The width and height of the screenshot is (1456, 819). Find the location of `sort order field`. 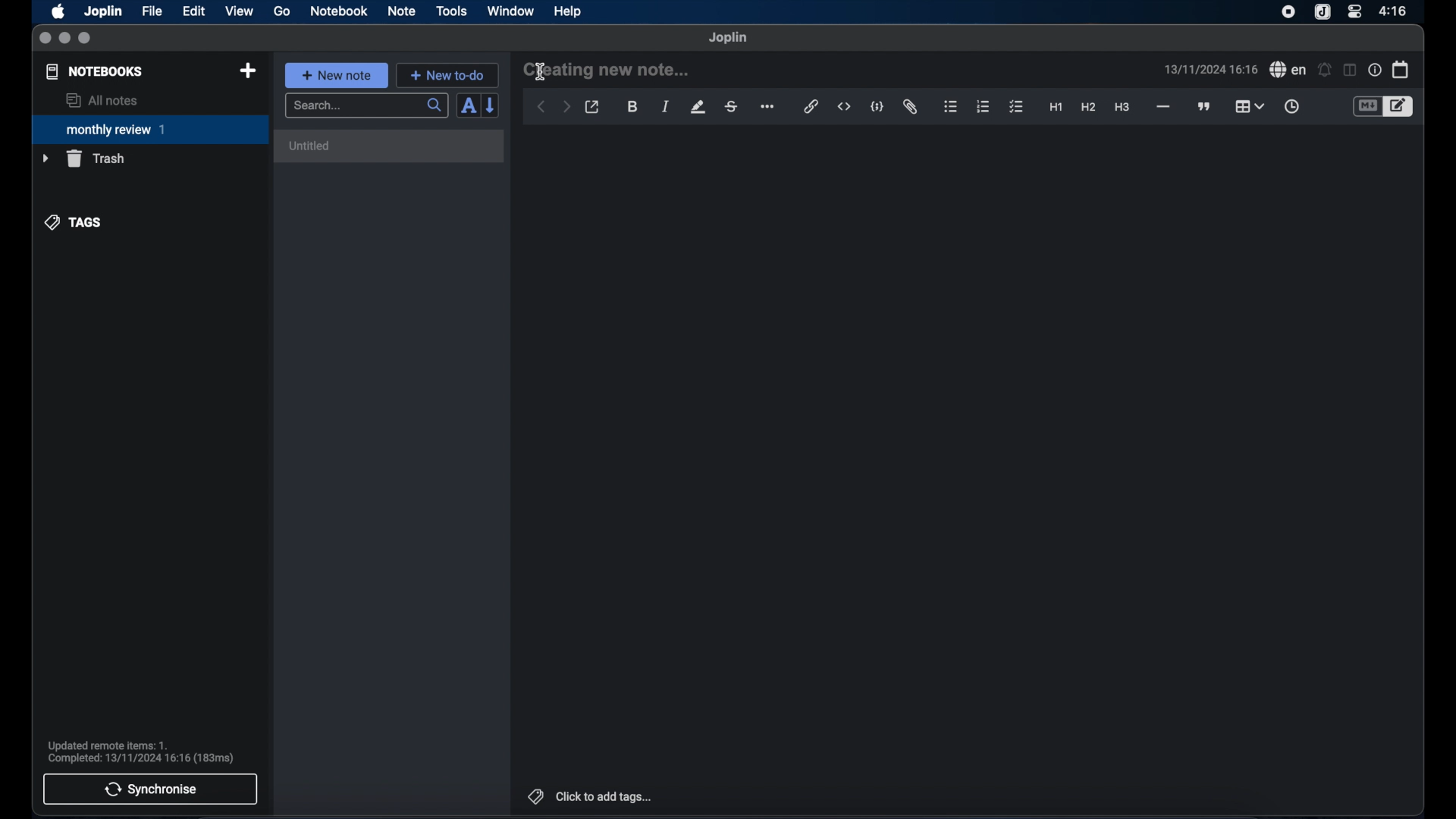

sort order field is located at coordinates (468, 106).